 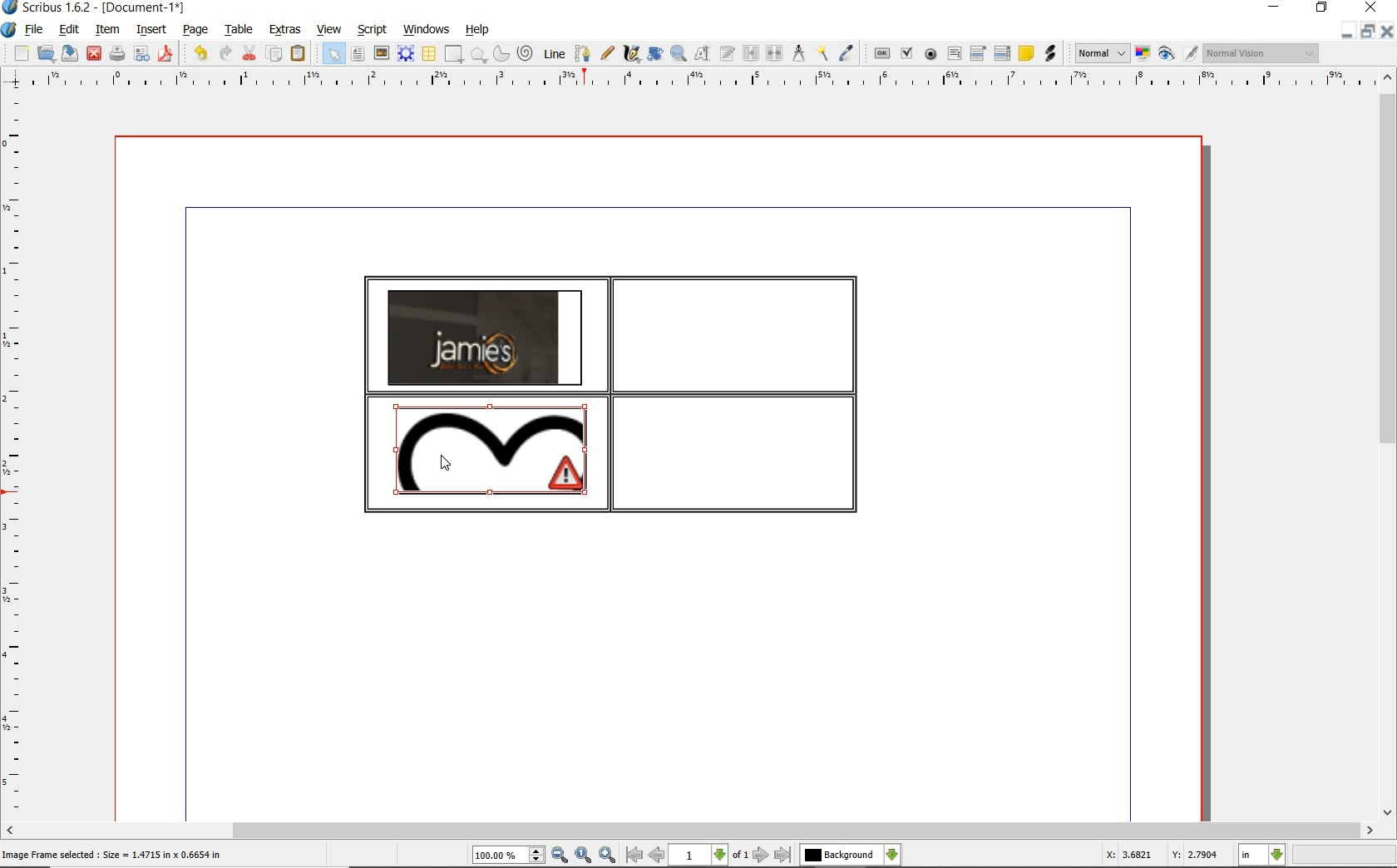 What do you see at coordinates (251, 52) in the screenshot?
I see `cut` at bounding box center [251, 52].